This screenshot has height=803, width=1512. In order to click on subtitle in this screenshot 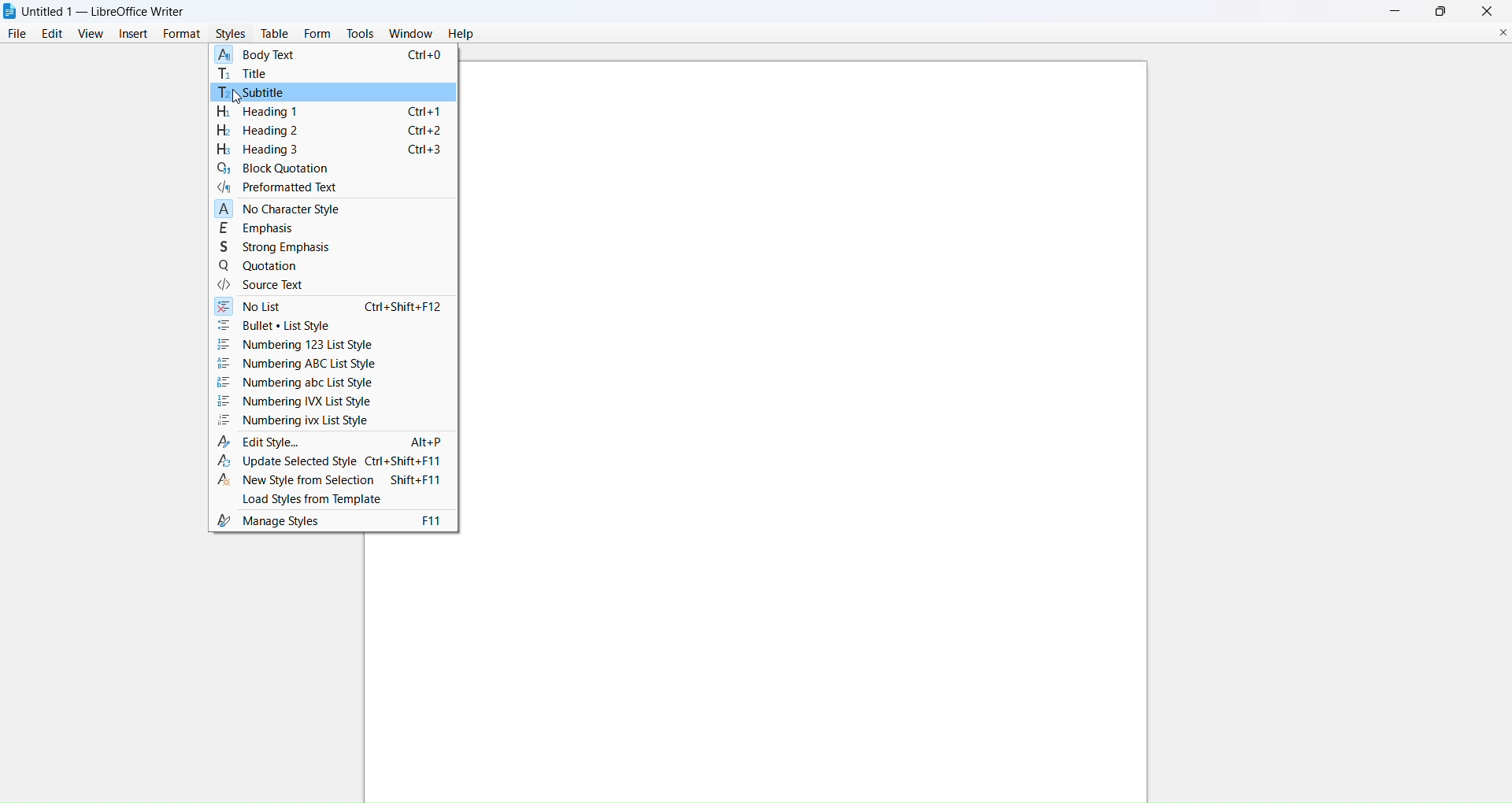, I will do `click(257, 92)`.